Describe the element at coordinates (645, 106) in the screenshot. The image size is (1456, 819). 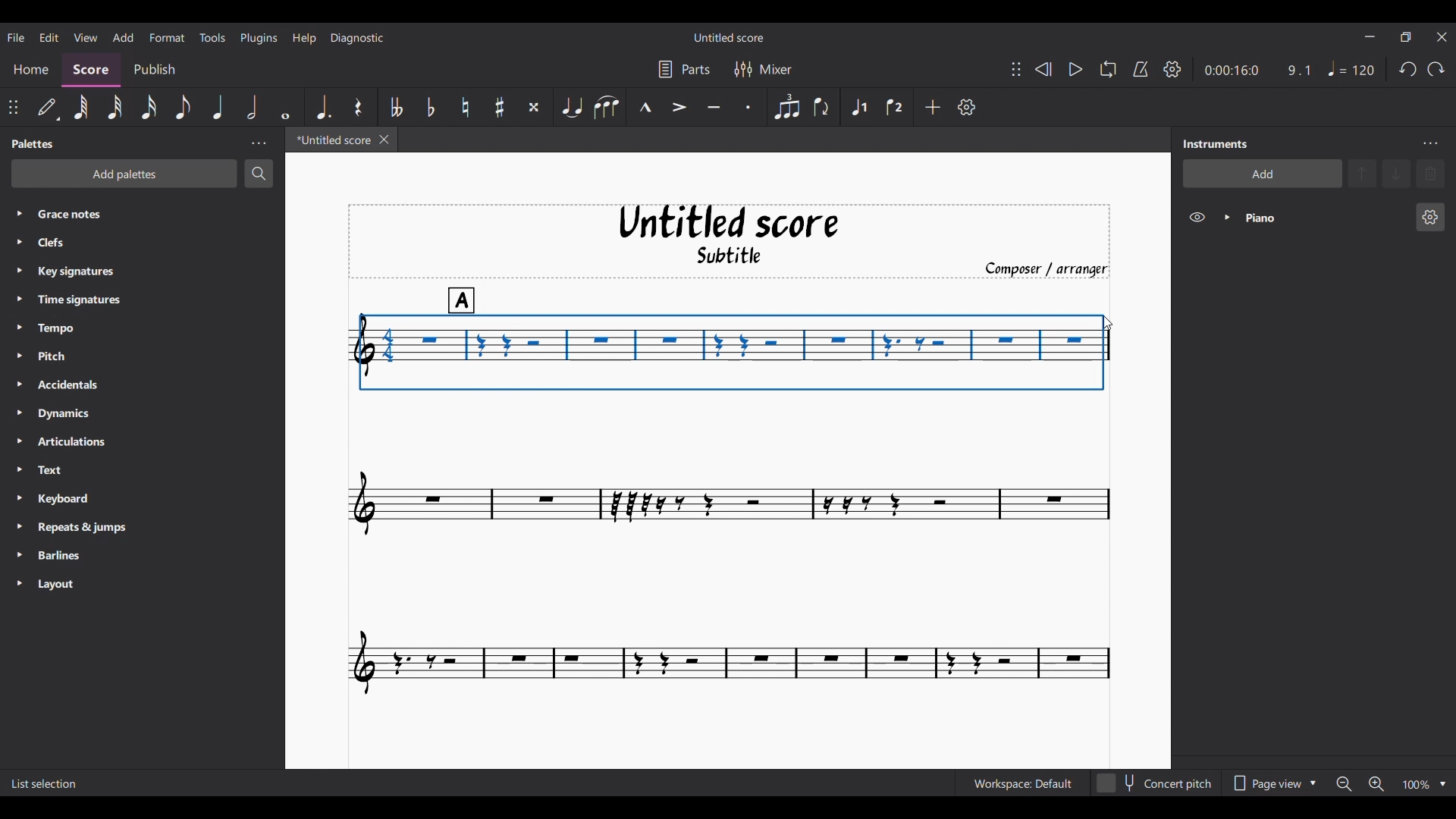
I see `Marcato` at that location.